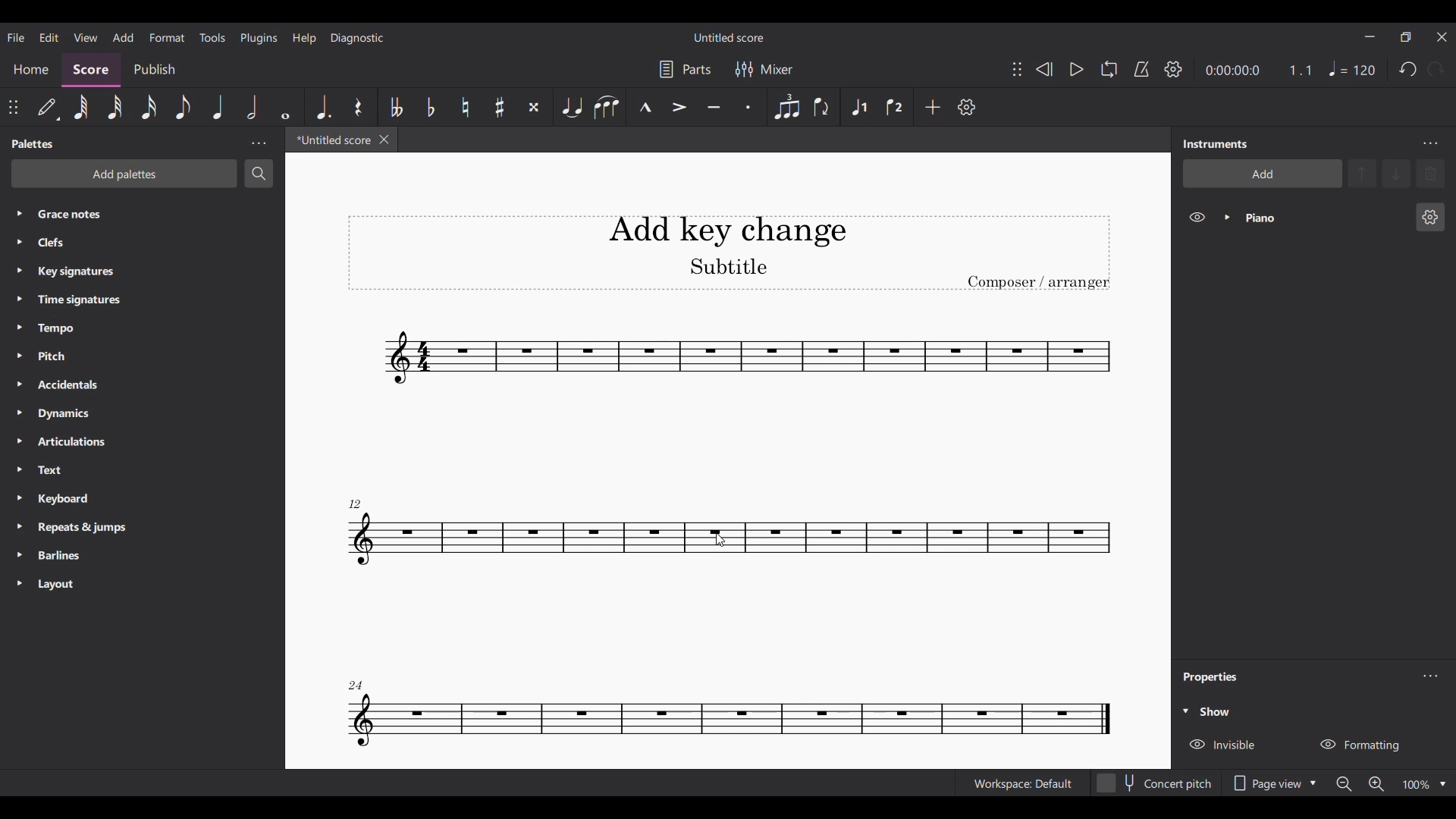  What do you see at coordinates (259, 143) in the screenshot?
I see `Palettes settings ` at bounding box center [259, 143].